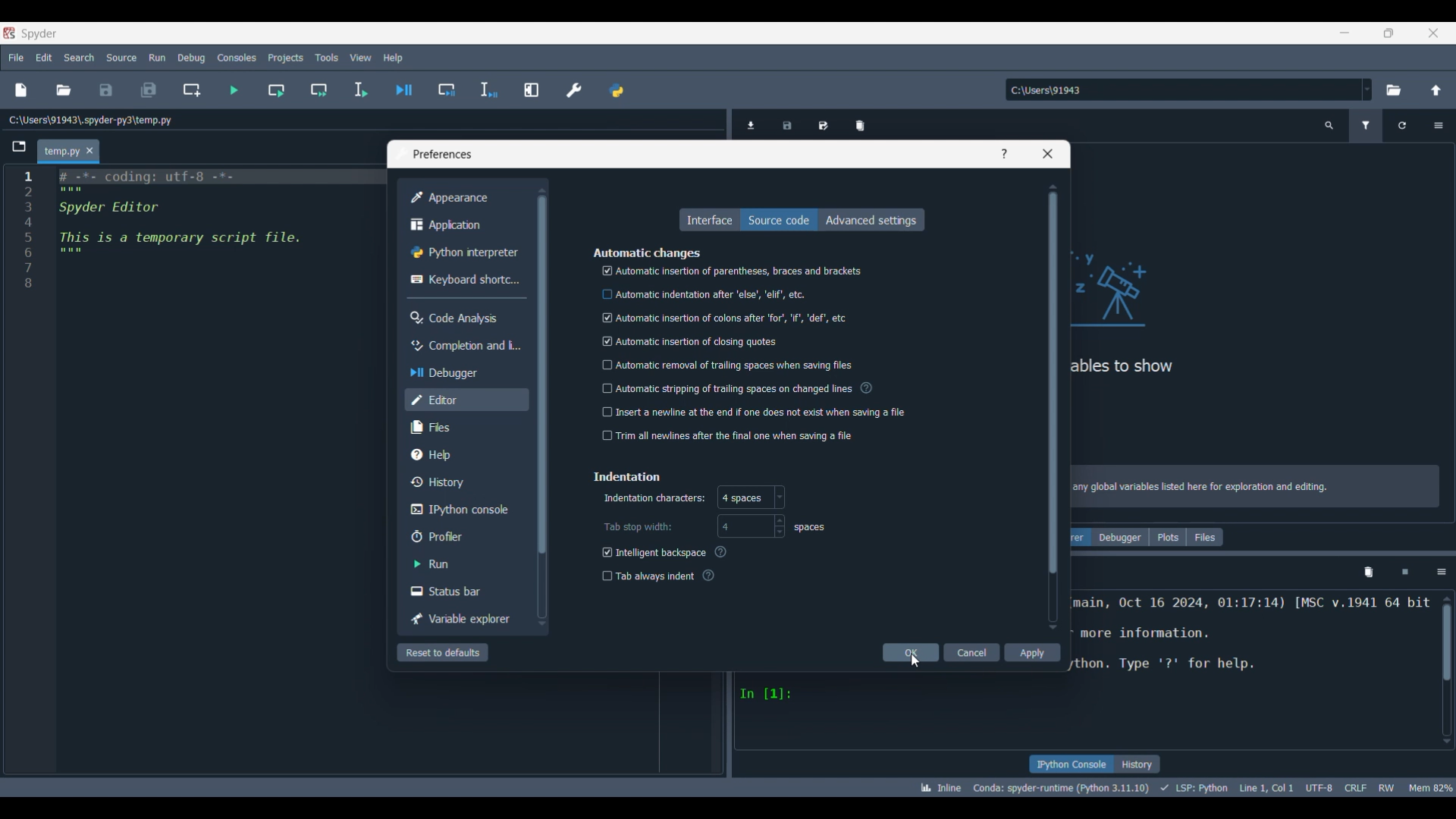 This screenshot has height=819, width=1456. What do you see at coordinates (732, 436) in the screenshot?
I see `trim all newlines after the final one when saving a file` at bounding box center [732, 436].